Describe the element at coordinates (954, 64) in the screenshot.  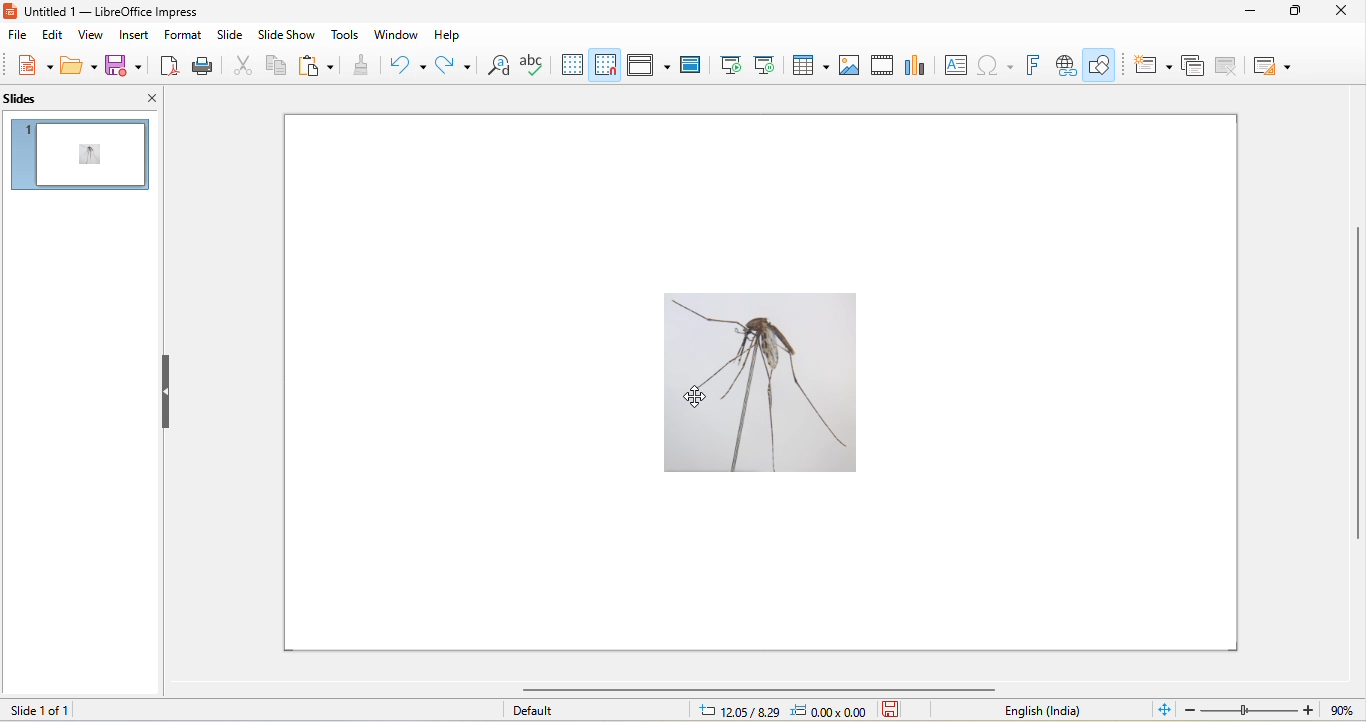
I see `textbox` at that location.